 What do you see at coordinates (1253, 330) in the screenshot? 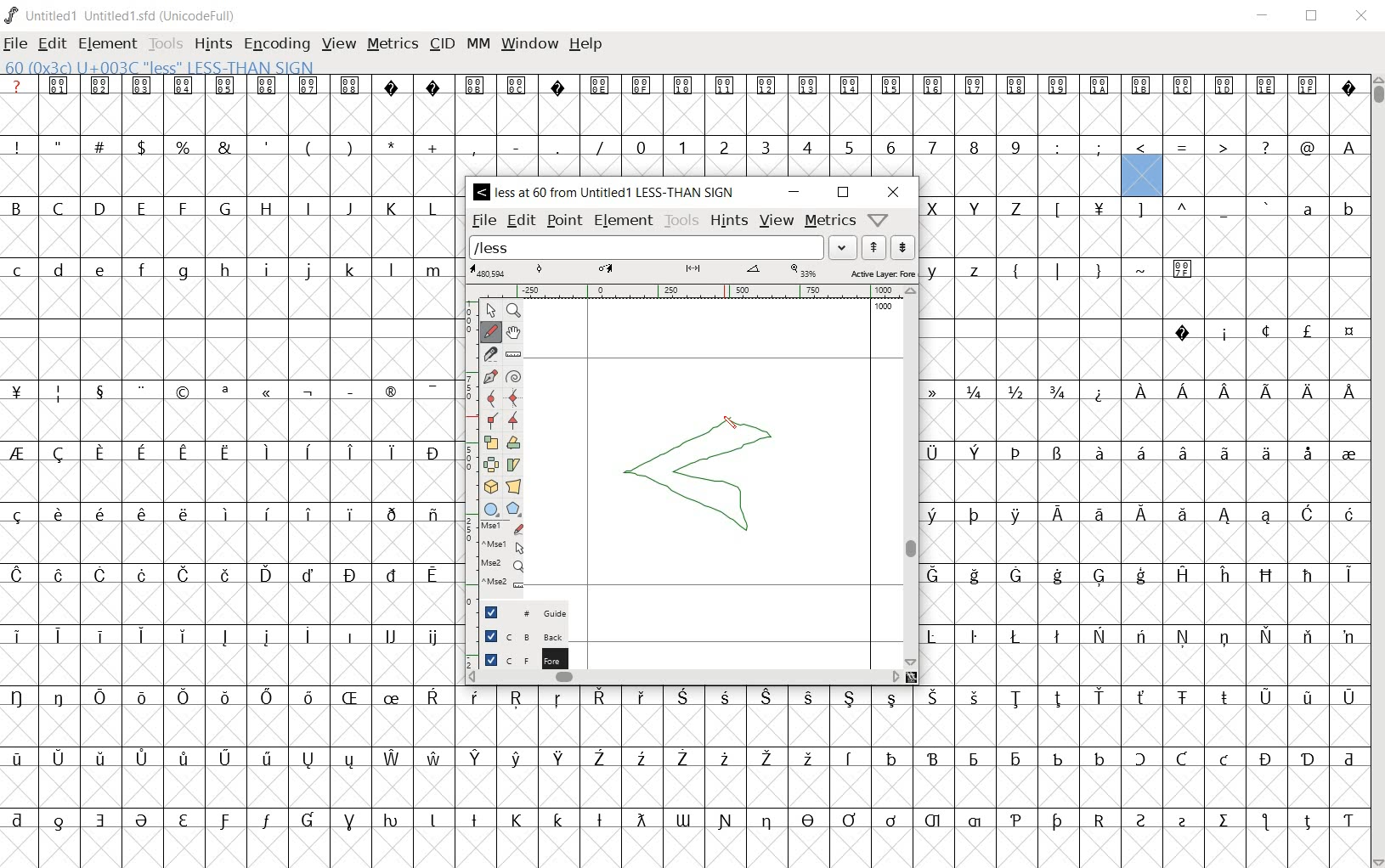
I see `symbols` at bounding box center [1253, 330].